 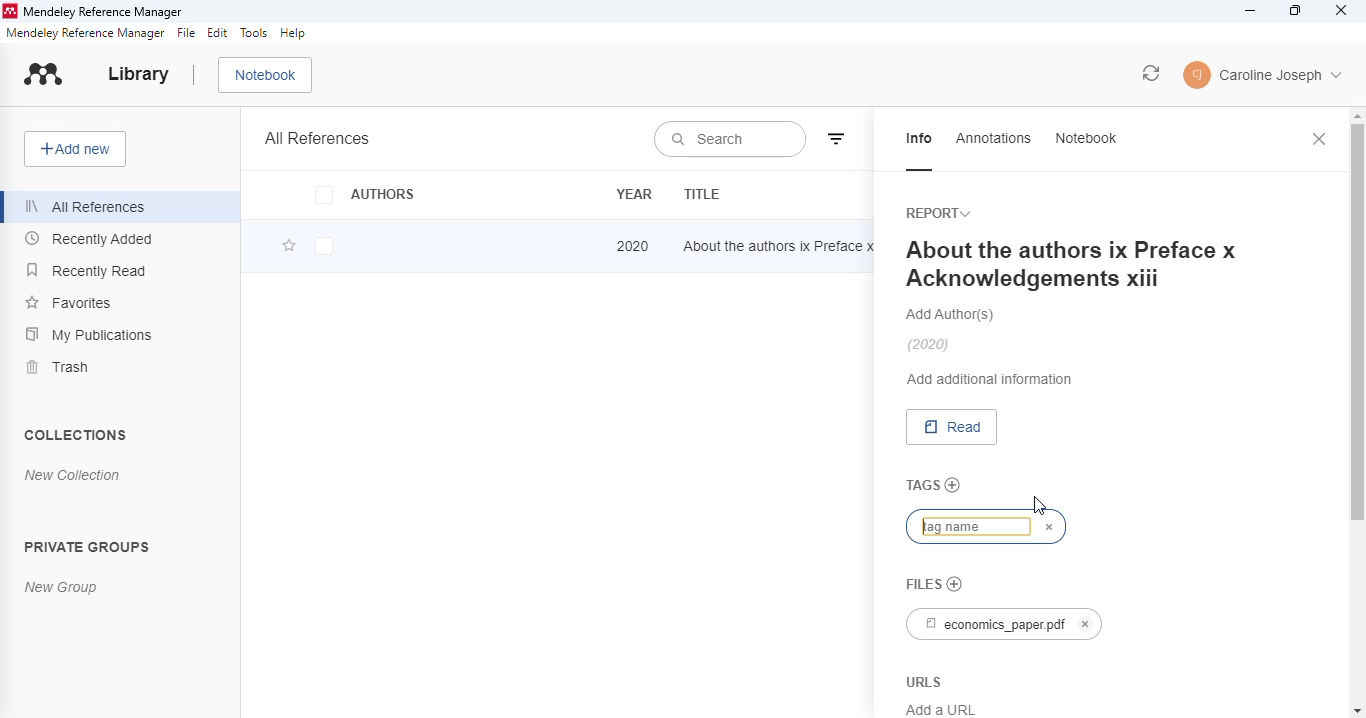 I want to click on report, so click(x=937, y=214).